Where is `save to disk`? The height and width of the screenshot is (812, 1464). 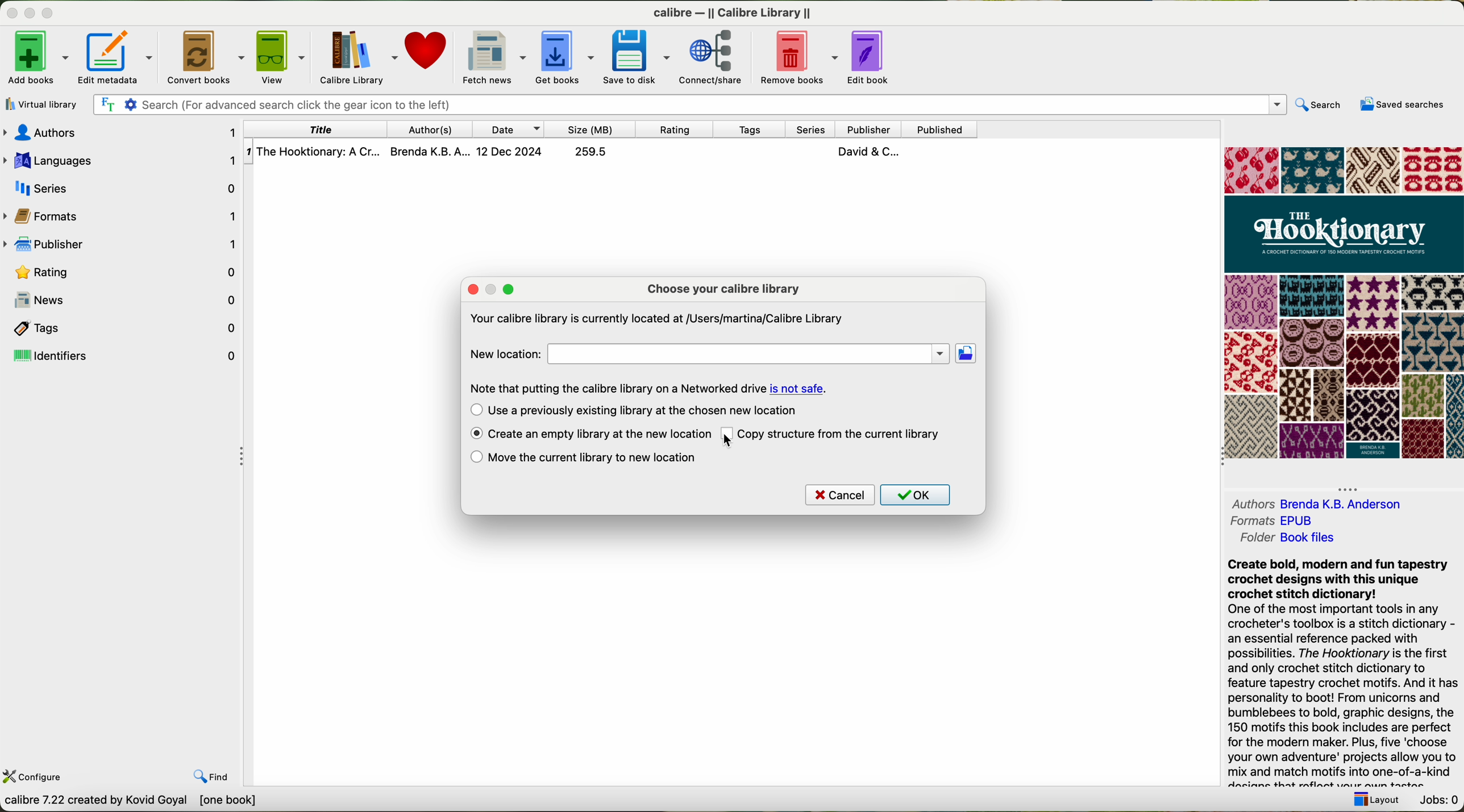
save to disk is located at coordinates (638, 57).